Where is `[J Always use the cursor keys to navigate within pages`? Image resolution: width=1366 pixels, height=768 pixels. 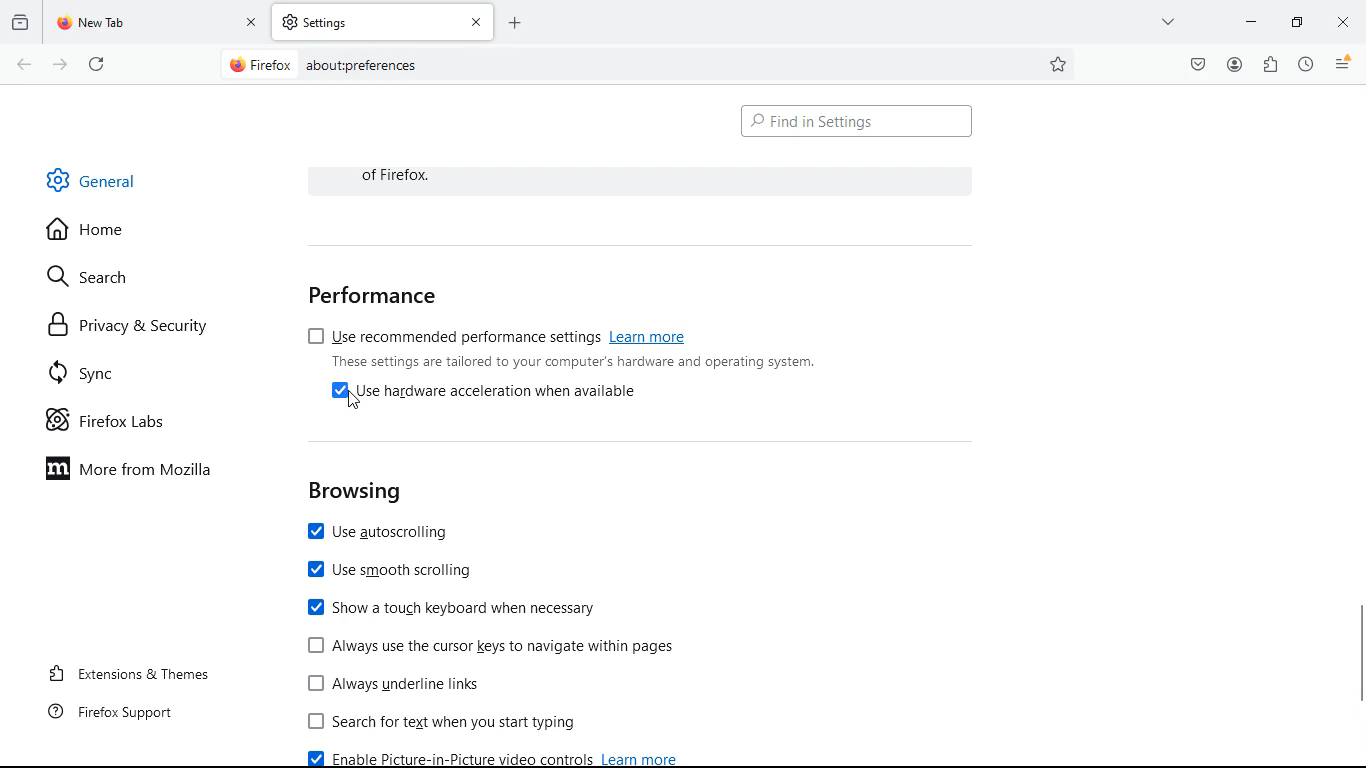 [J Always use the cursor keys to navigate within pages is located at coordinates (487, 646).